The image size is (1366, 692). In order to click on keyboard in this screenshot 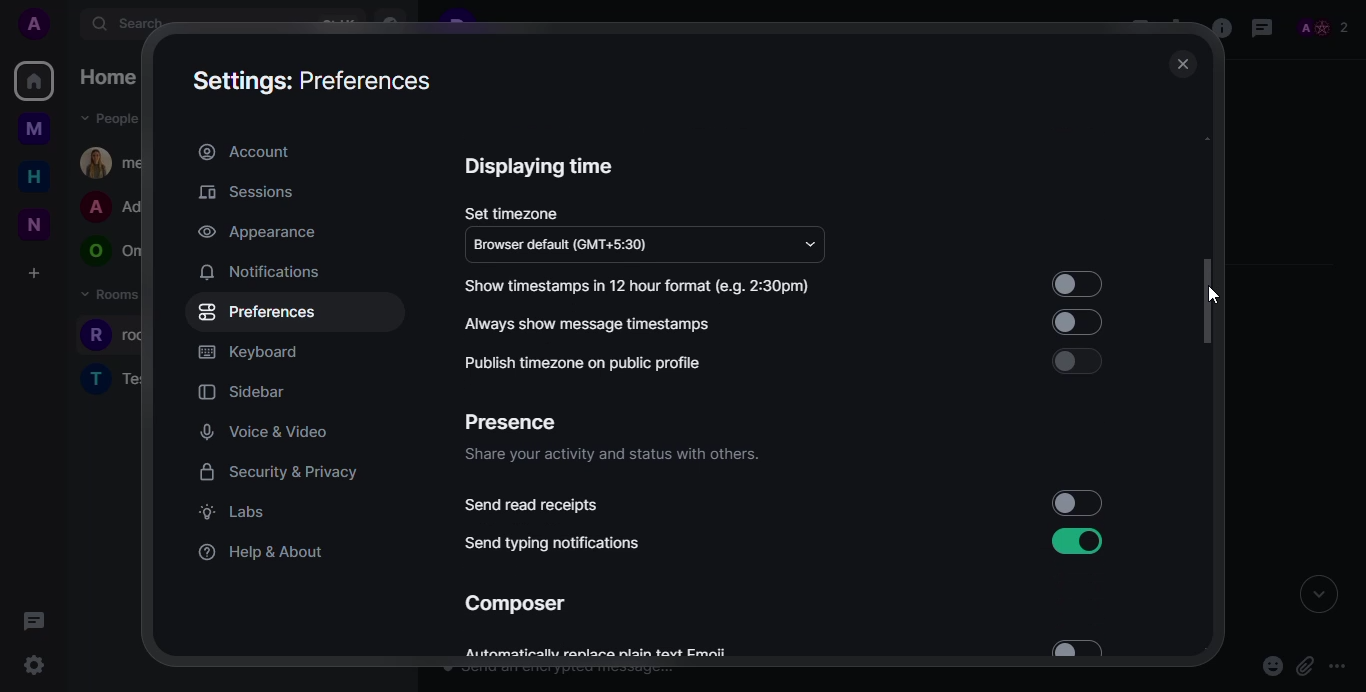, I will do `click(248, 352)`.